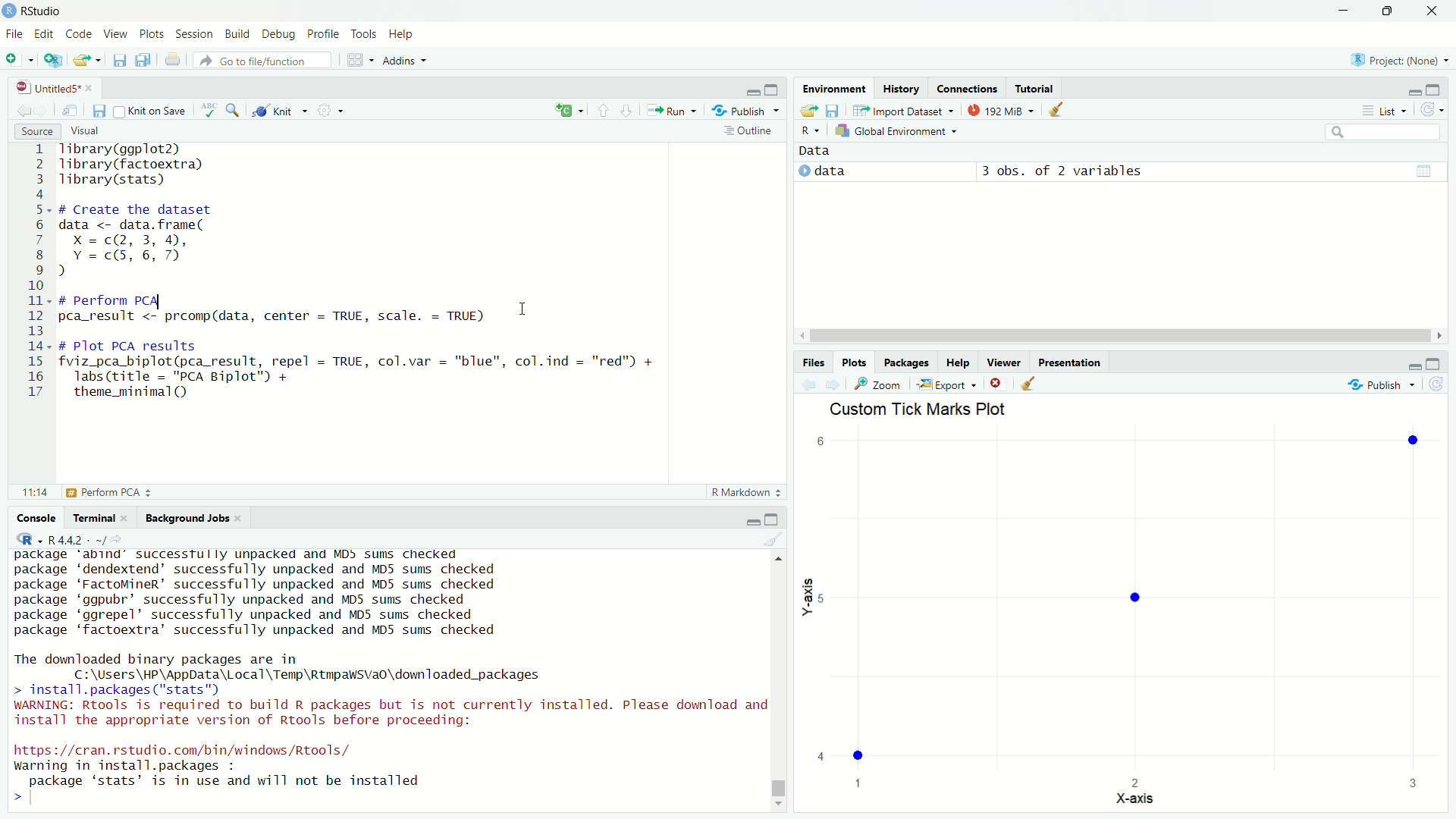 This screenshot has height=819, width=1456. What do you see at coordinates (55, 87) in the screenshot?
I see `file name: untitled5` at bounding box center [55, 87].